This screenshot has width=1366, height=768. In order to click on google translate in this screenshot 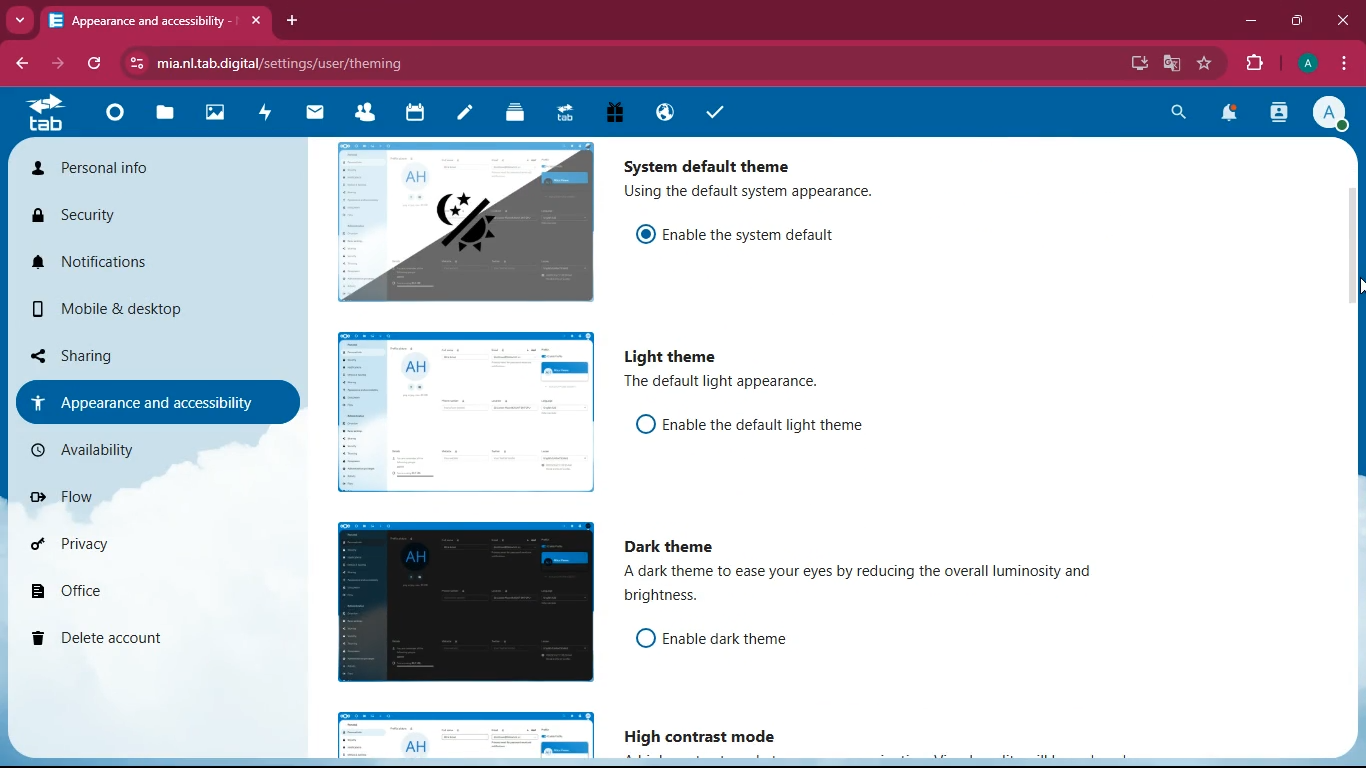, I will do `click(1176, 64)`.